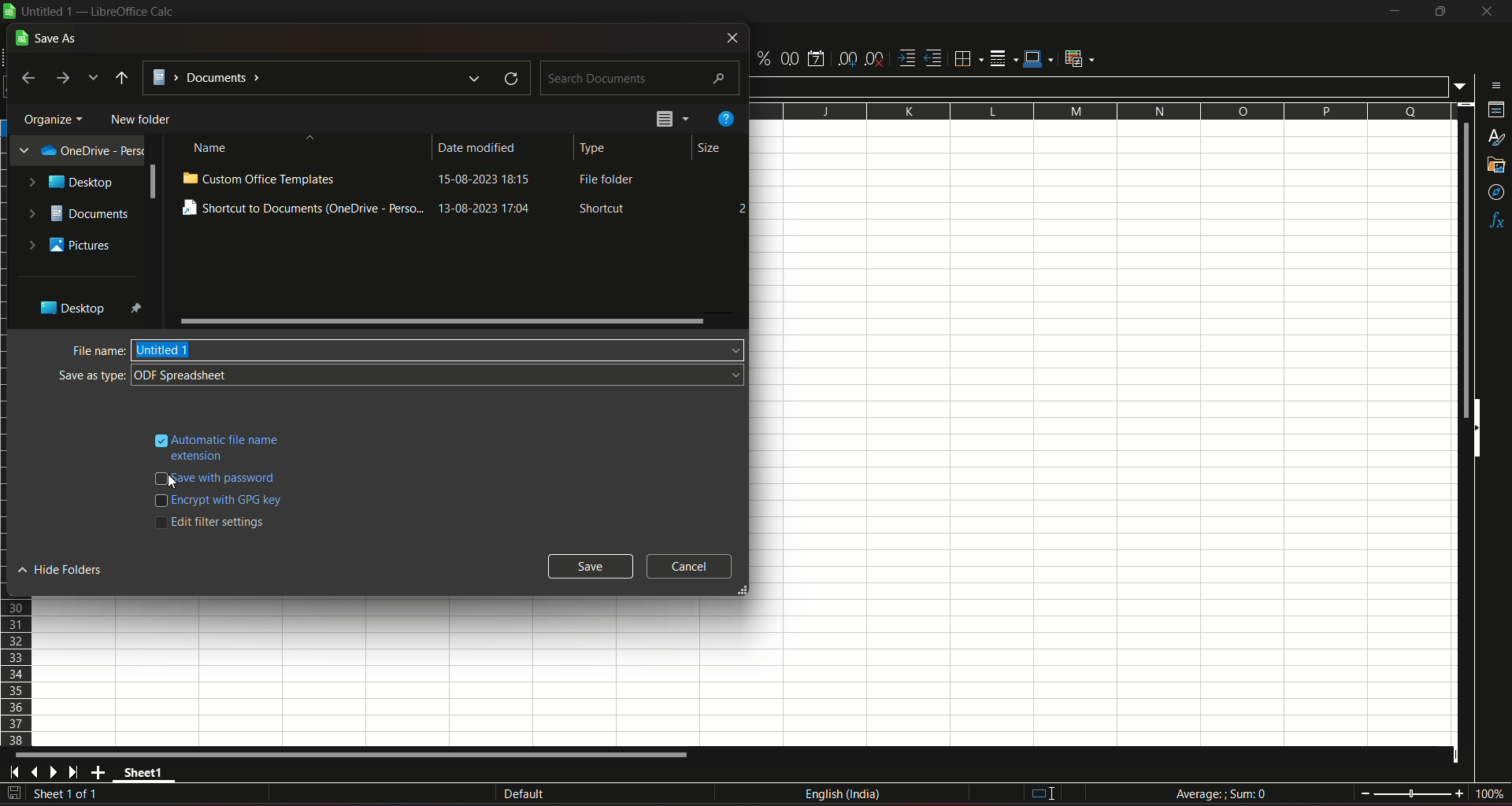 Image resolution: width=1512 pixels, height=806 pixels. I want to click on styles, so click(1496, 139).